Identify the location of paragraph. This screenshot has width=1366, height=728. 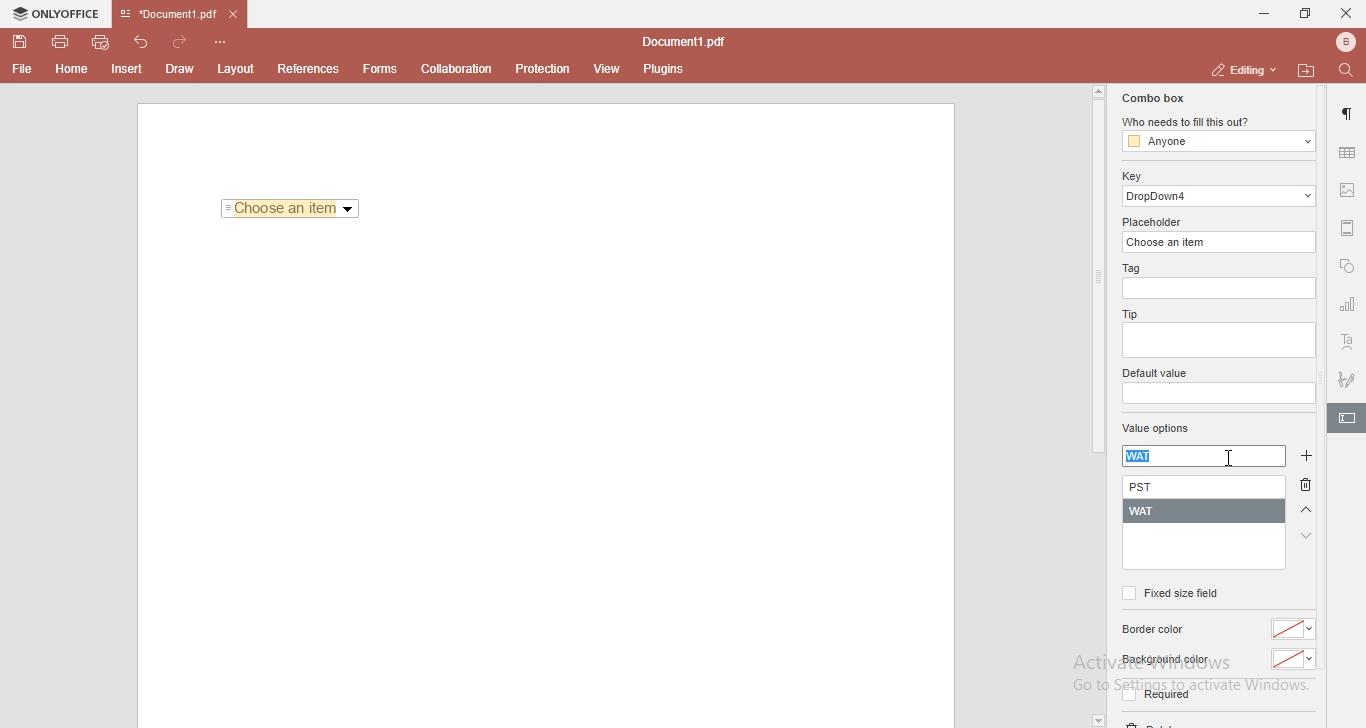
(1349, 114).